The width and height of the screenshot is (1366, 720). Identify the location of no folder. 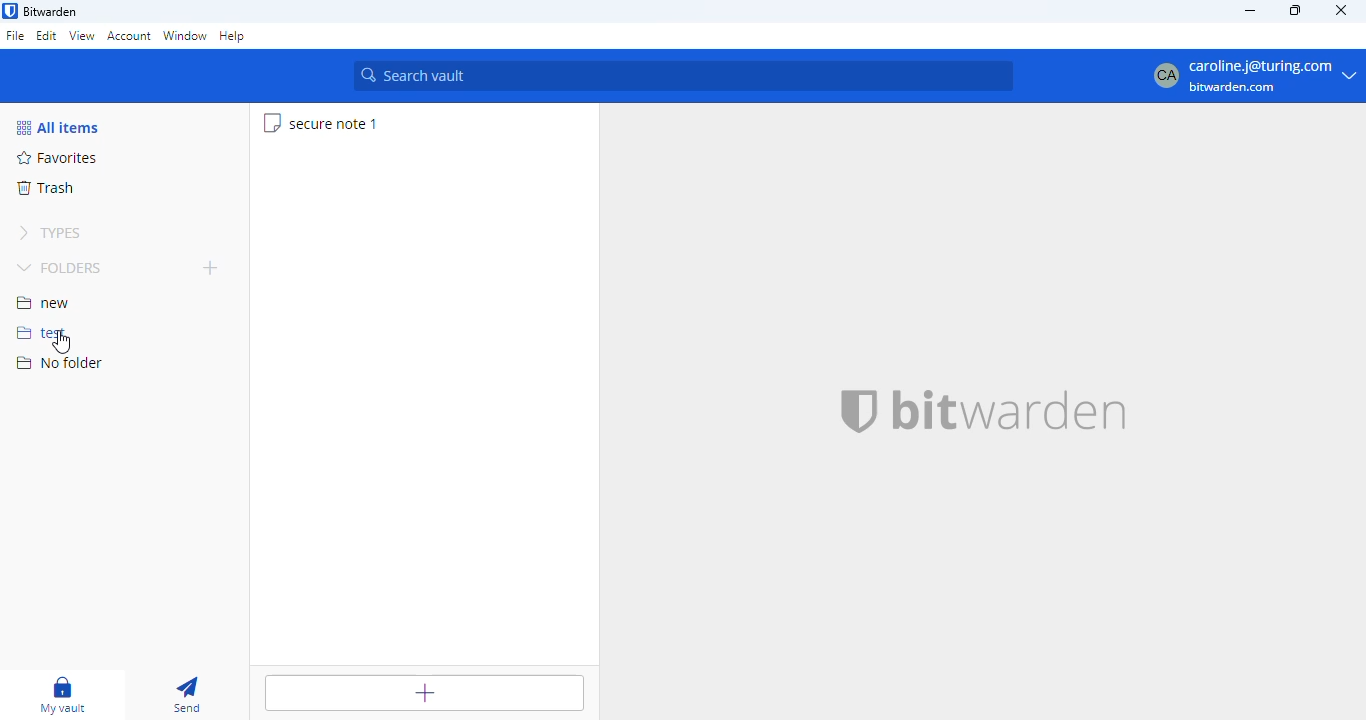
(60, 364).